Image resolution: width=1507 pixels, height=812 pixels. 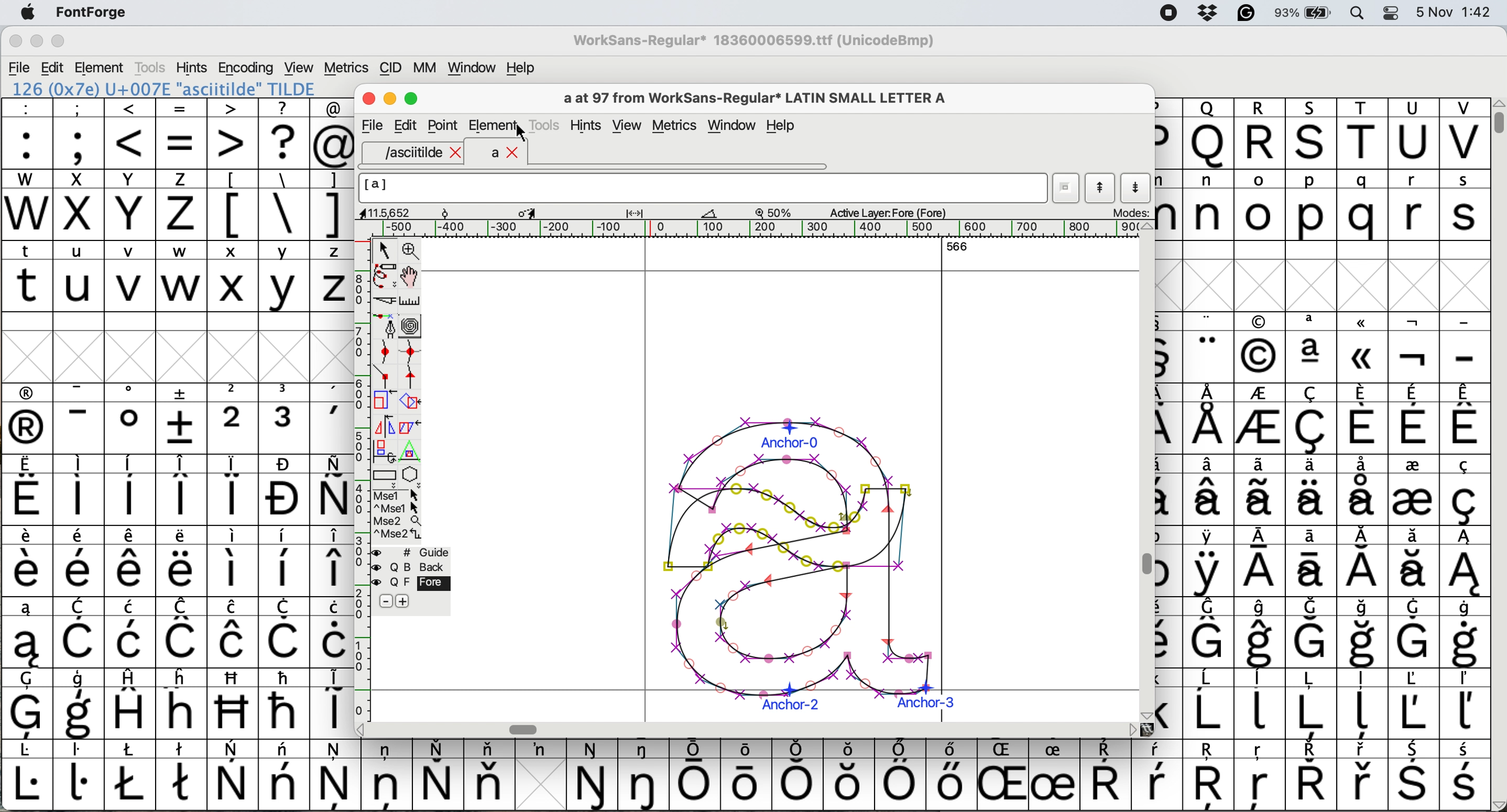 What do you see at coordinates (95, 13) in the screenshot?
I see `fontforge` at bounding box center [95, 13].